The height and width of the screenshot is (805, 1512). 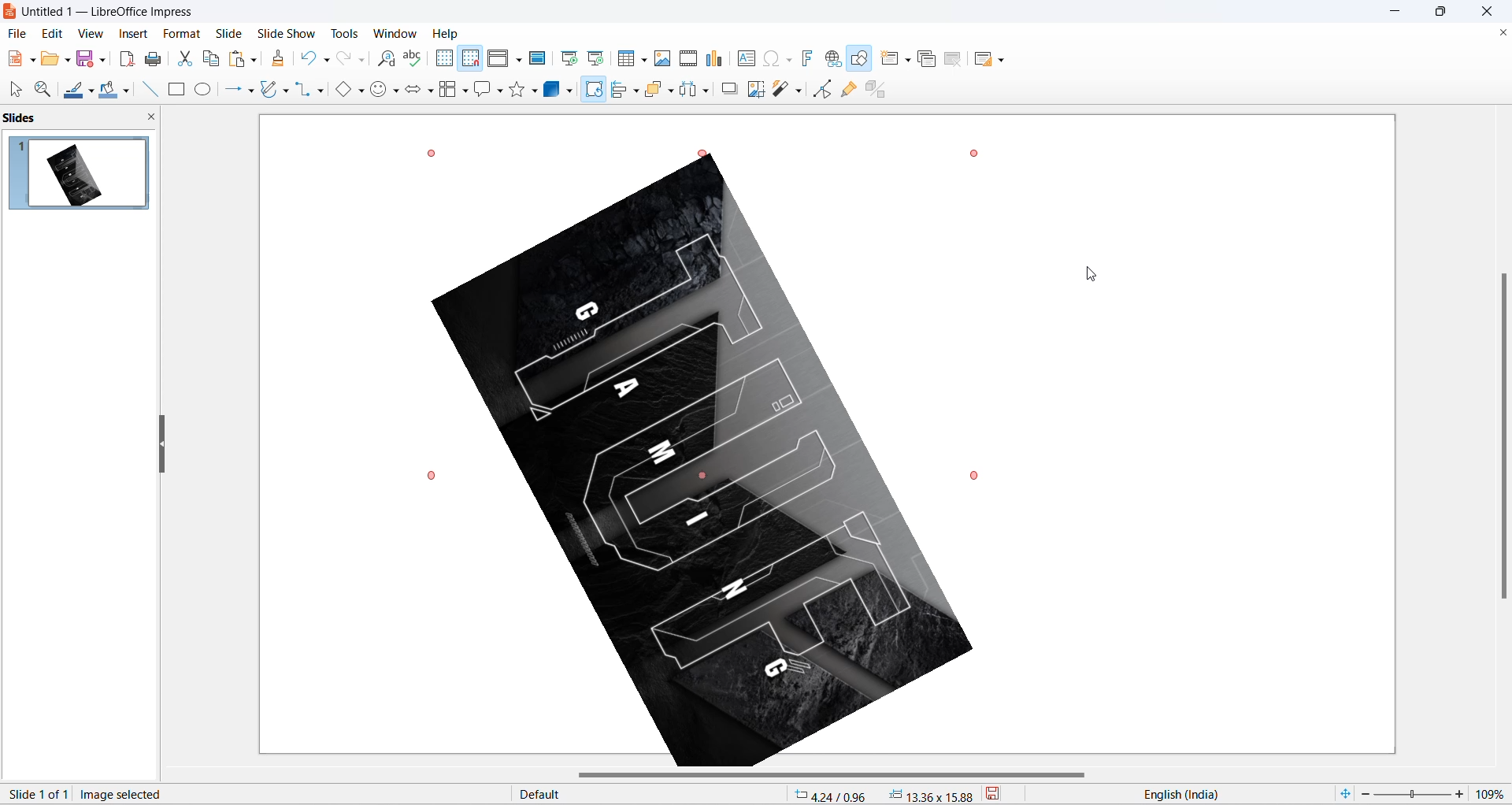 What do you see at coordinates (132, 35) in the screenshot?
I see `insert` at bounding box center [132, 35].